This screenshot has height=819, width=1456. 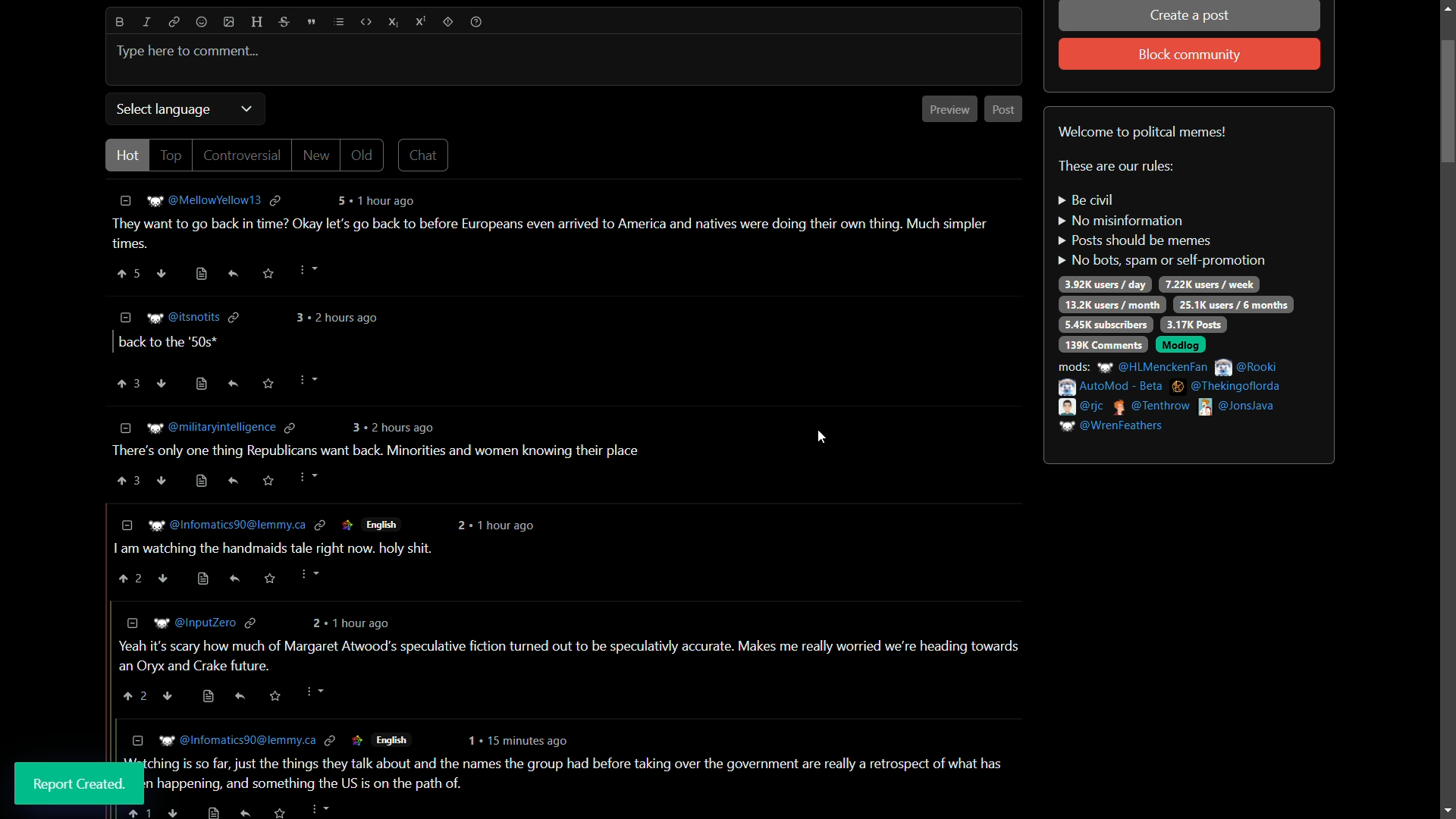 I want to click on preview, so click(x=950, y=109).